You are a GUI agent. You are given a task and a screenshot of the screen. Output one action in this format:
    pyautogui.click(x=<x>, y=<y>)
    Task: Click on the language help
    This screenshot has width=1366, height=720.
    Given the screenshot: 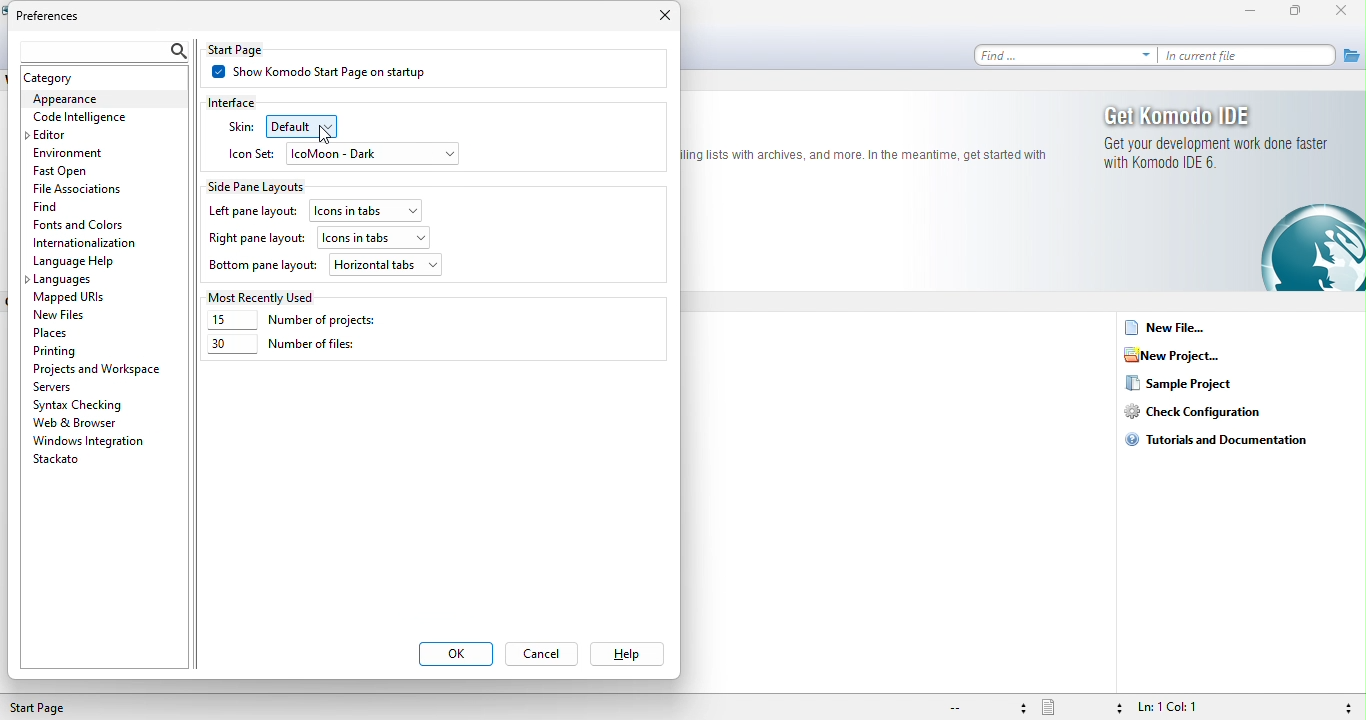 What is the action you would take?
    pyautogui.click(x=76, y=262)
    